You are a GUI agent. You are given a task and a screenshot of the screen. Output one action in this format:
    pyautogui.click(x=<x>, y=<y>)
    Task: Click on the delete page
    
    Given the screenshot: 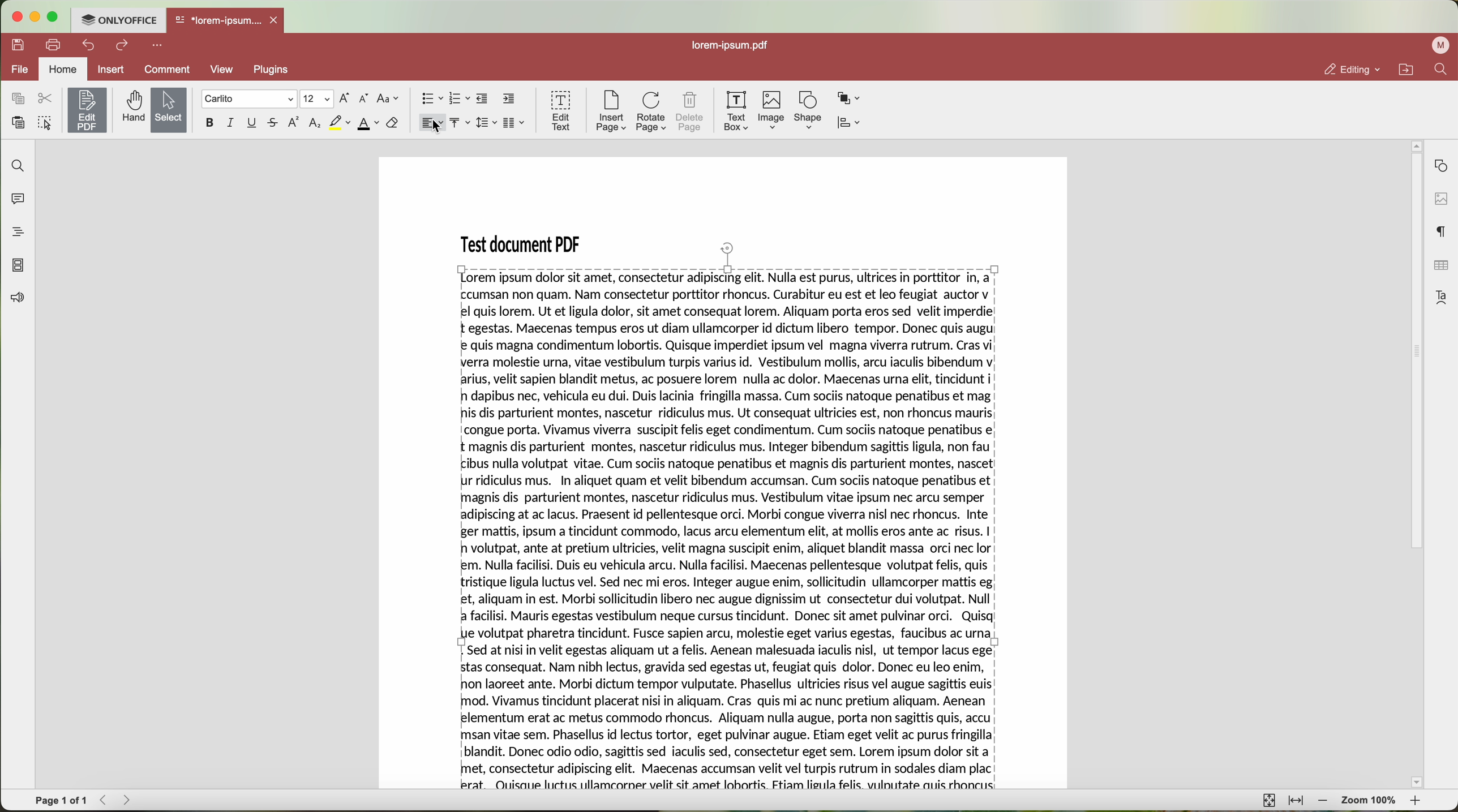 What is the action you would take?
    pyautogui.click(x=691, y=113)
    